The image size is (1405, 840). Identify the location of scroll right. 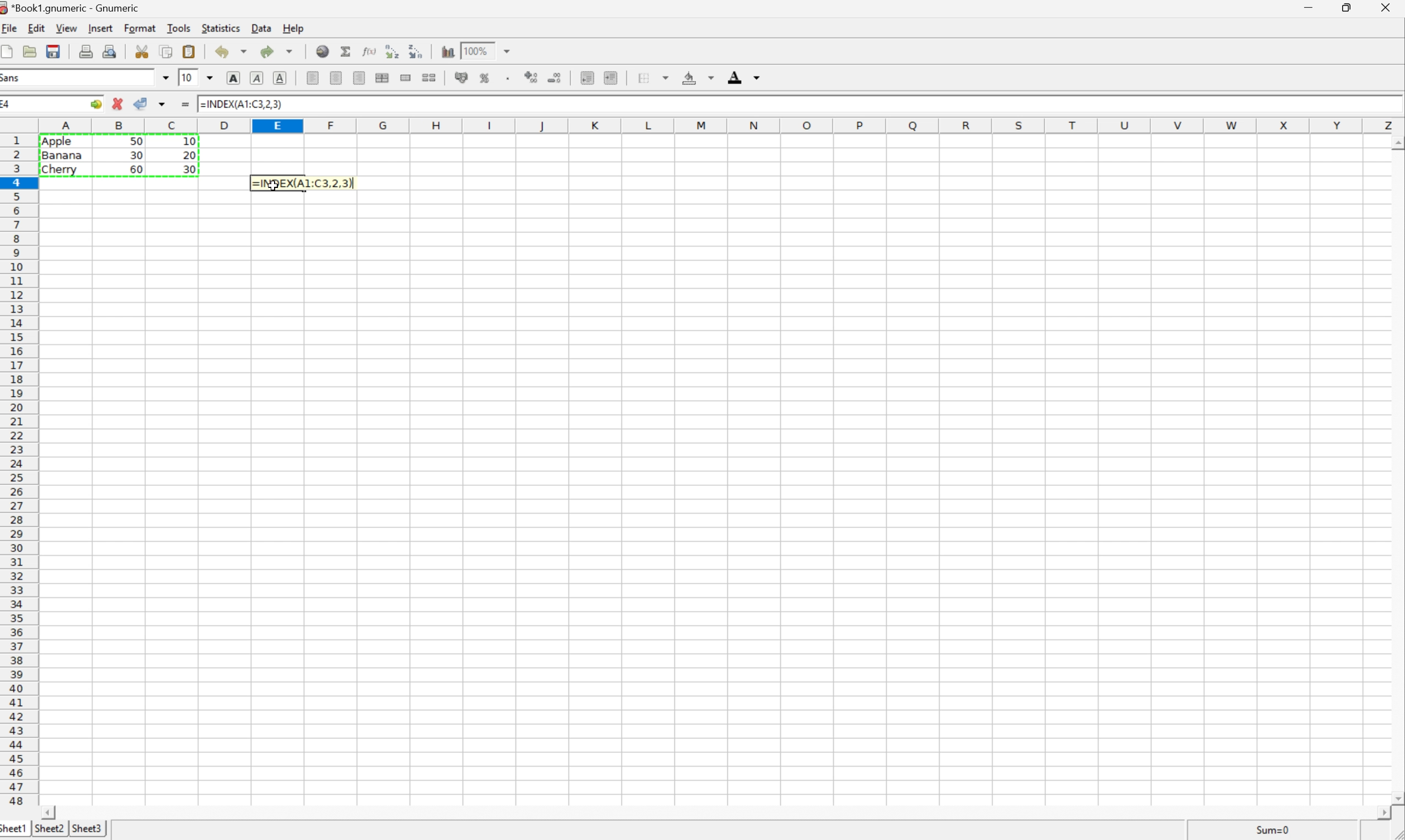
(1381, 813).